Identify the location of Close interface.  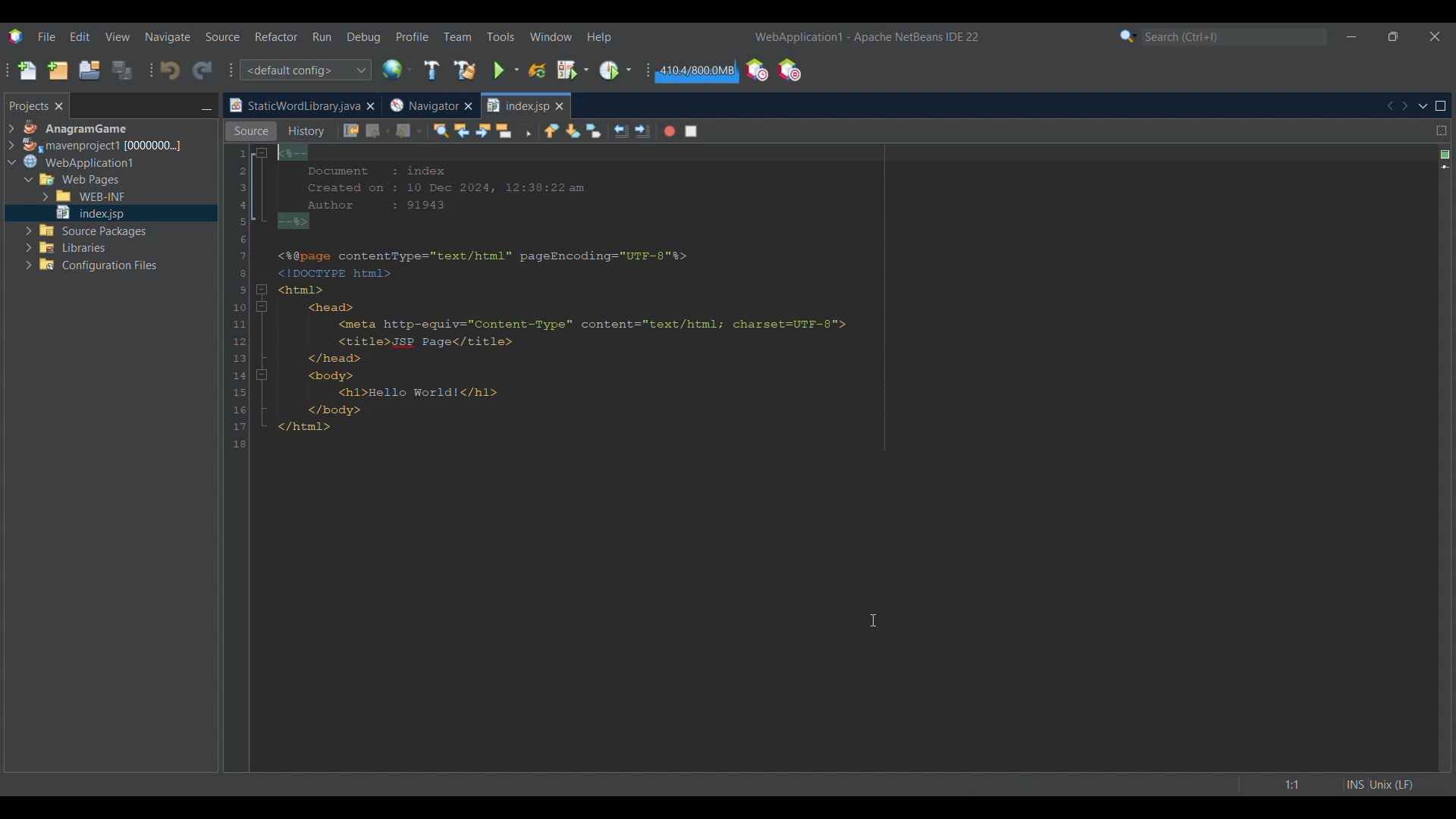
(1435, 36).